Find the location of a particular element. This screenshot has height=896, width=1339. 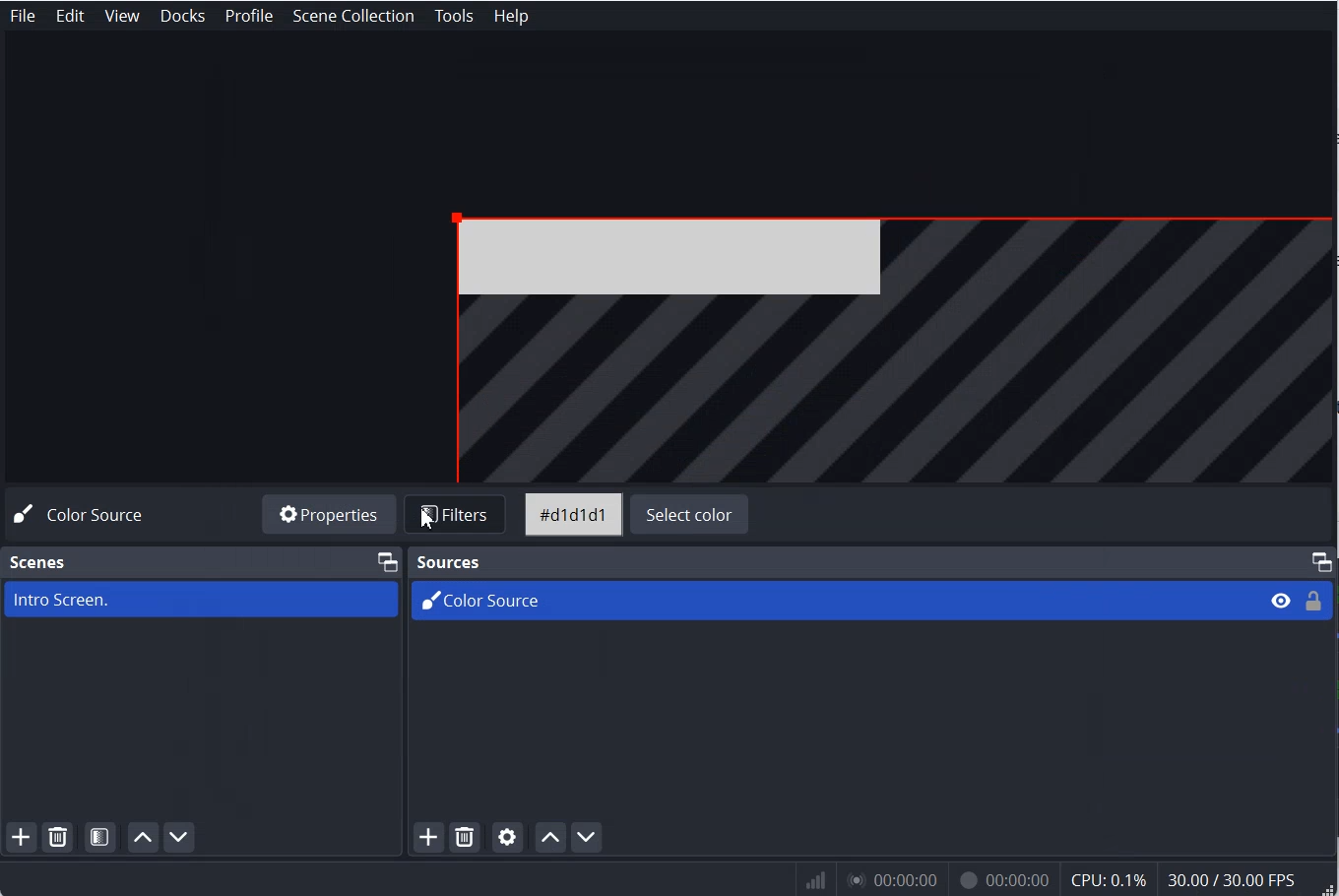

Color Source is located at coordinates (85, 514).